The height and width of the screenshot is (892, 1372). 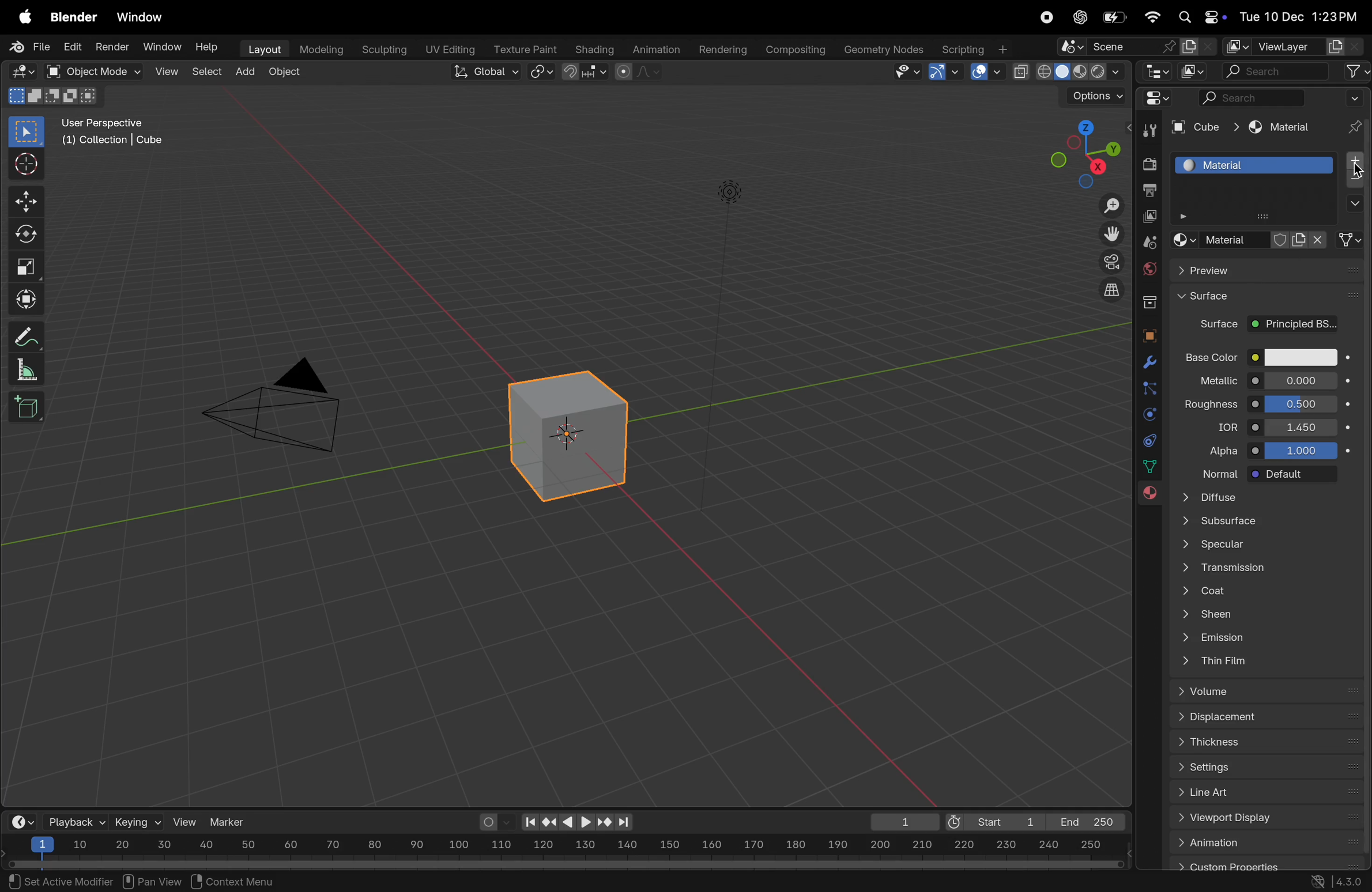 I want to click on material, so click(x=1252, y=164).